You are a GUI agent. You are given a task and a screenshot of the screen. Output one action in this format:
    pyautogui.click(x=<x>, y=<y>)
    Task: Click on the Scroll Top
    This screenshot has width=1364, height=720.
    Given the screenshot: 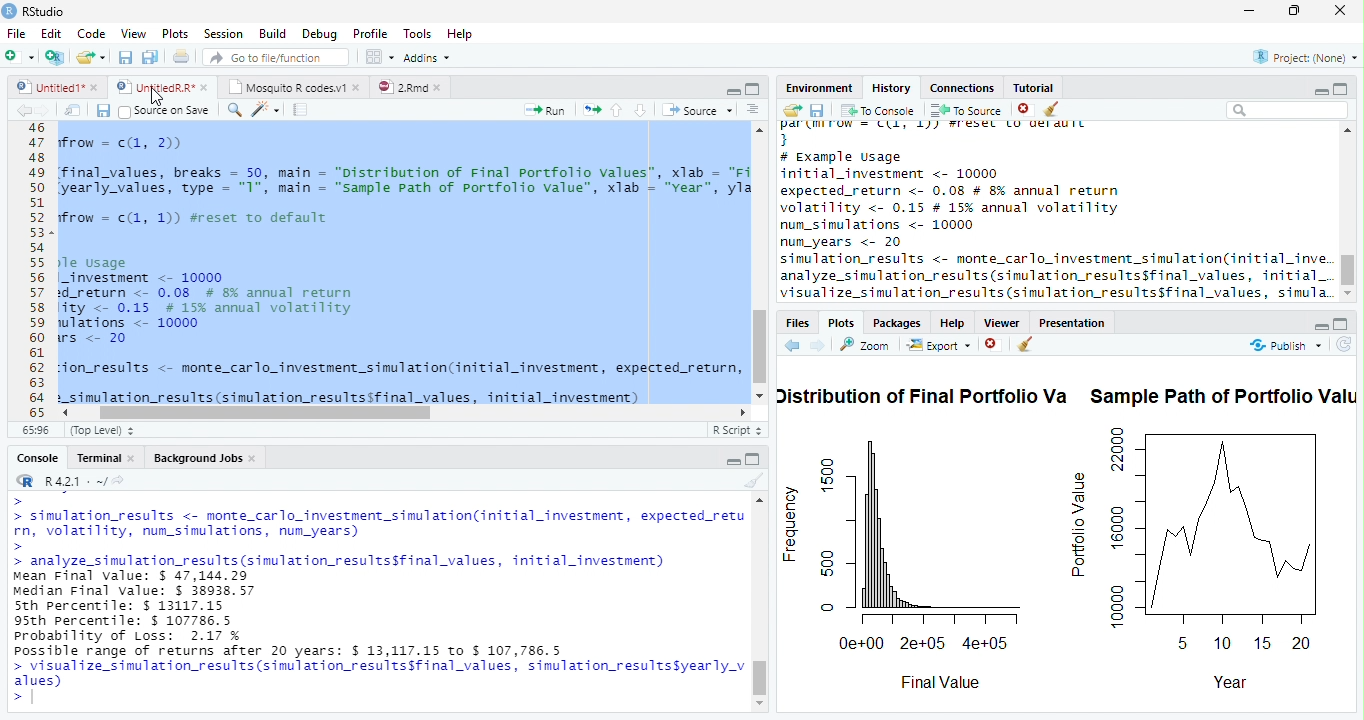 What is the action you would take?
    pyautogui.click(x=1350, y=129)
    